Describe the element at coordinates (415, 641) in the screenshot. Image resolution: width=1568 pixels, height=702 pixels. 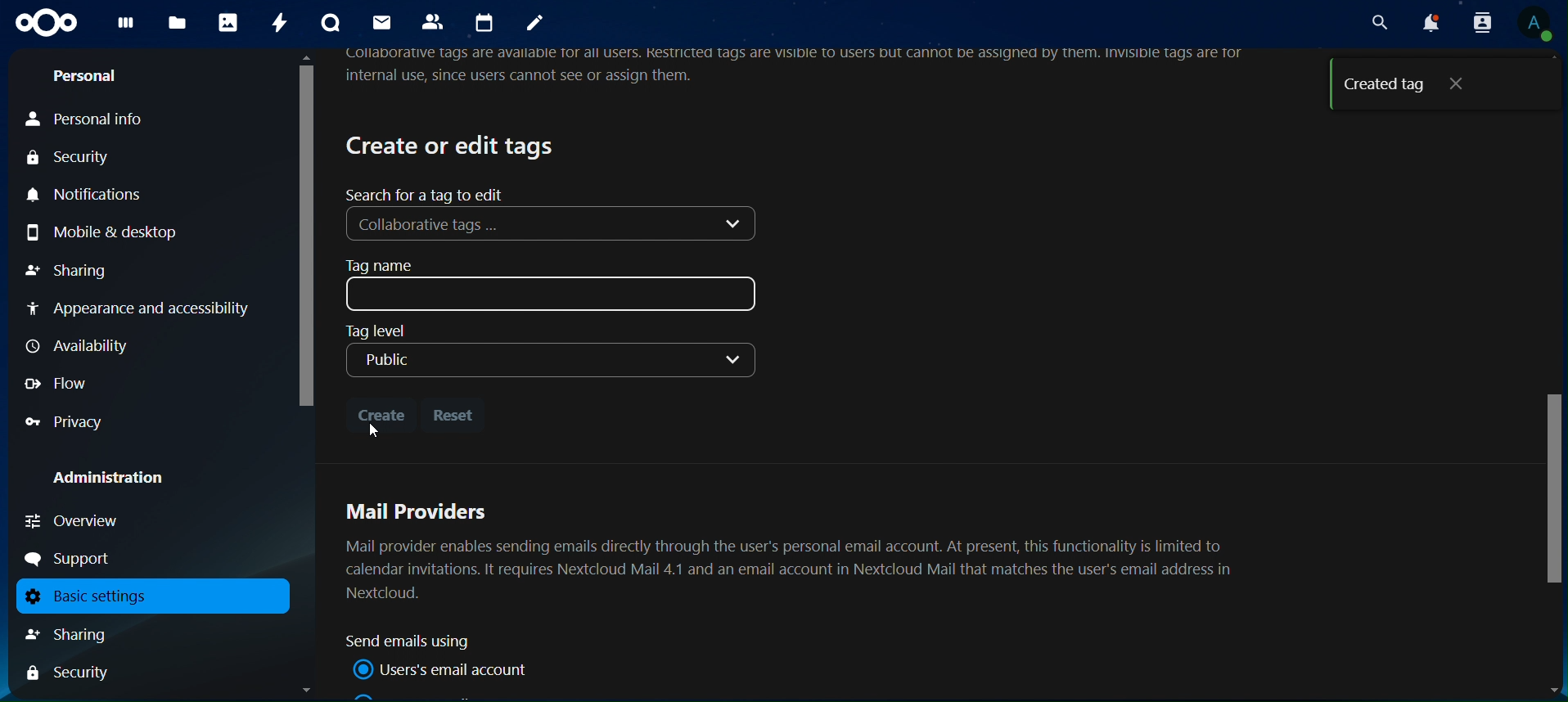
I see `sand email using` at that location.